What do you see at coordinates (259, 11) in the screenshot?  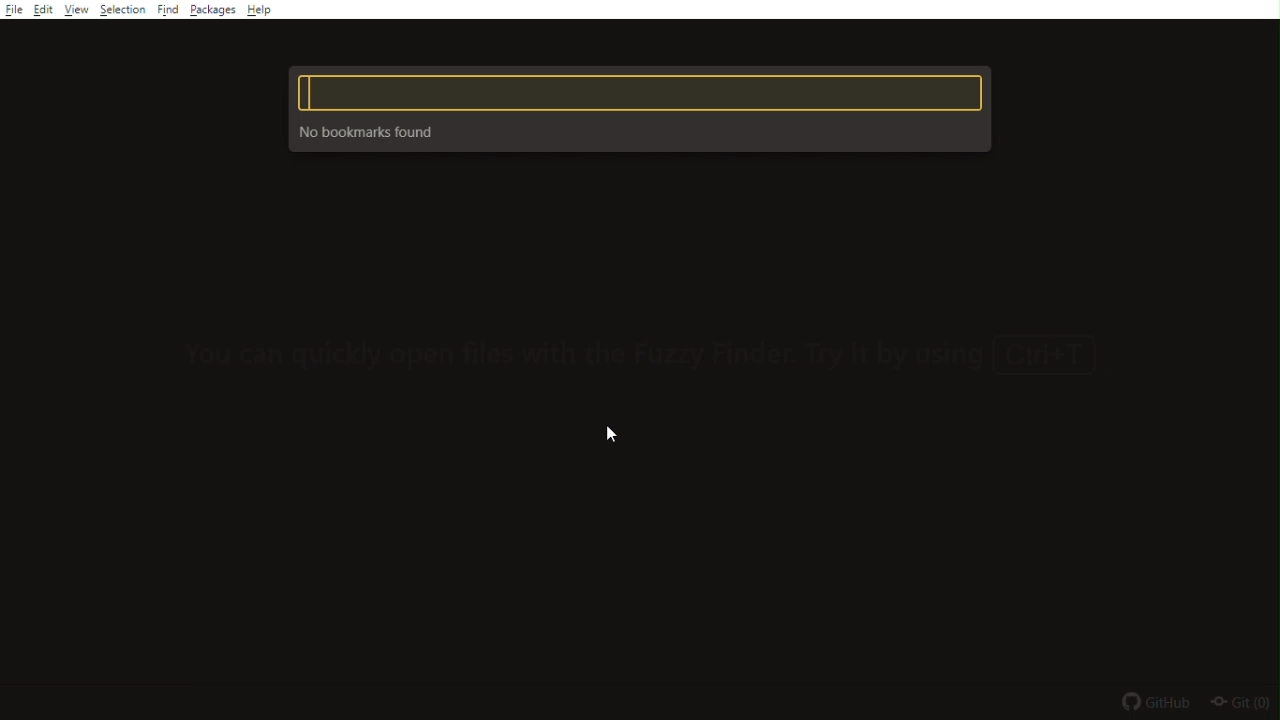 I see `` at bounding box center [259, 11].